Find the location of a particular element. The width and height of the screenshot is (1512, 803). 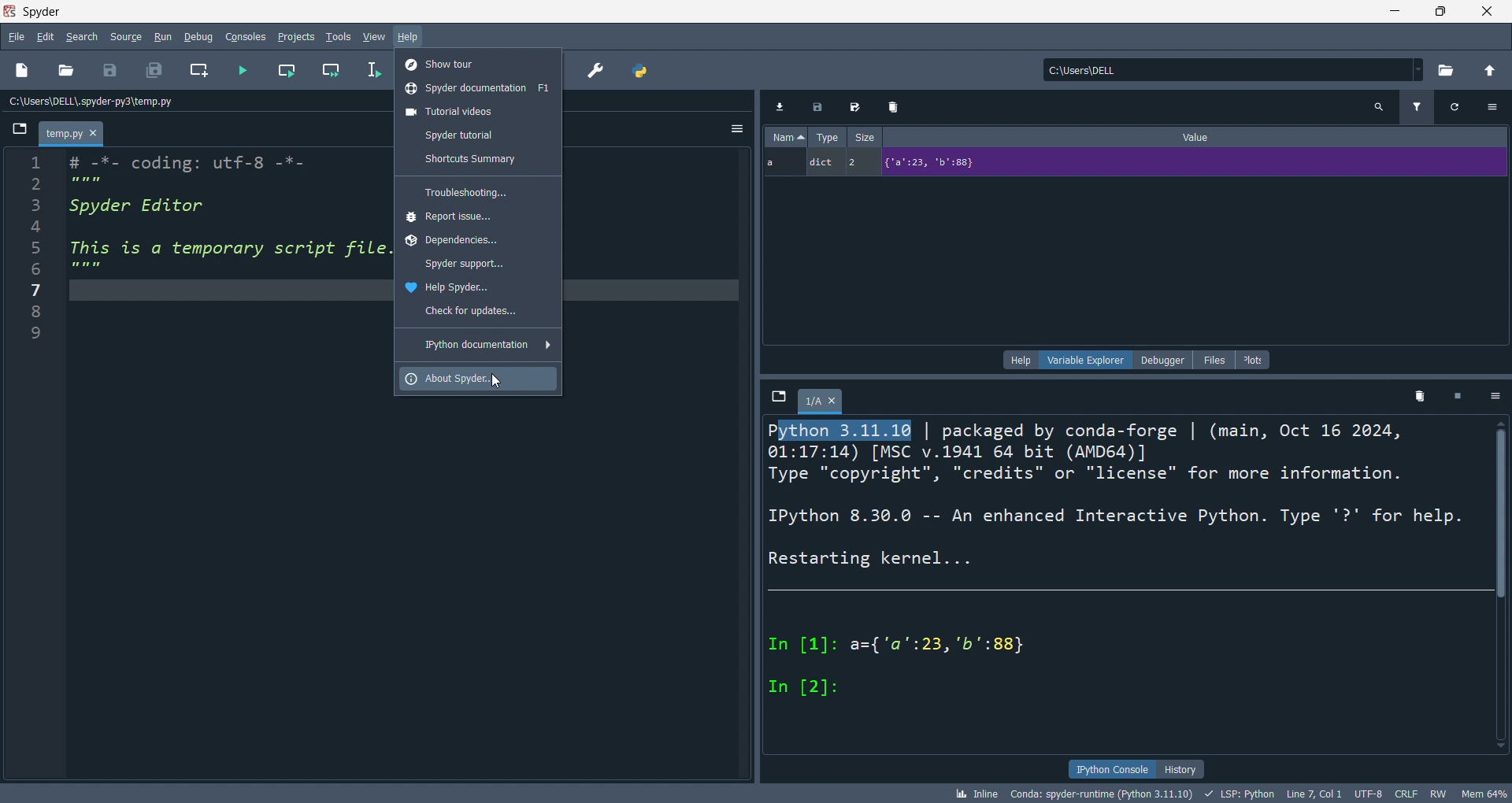

consoles is located at coordinates (246, 37).